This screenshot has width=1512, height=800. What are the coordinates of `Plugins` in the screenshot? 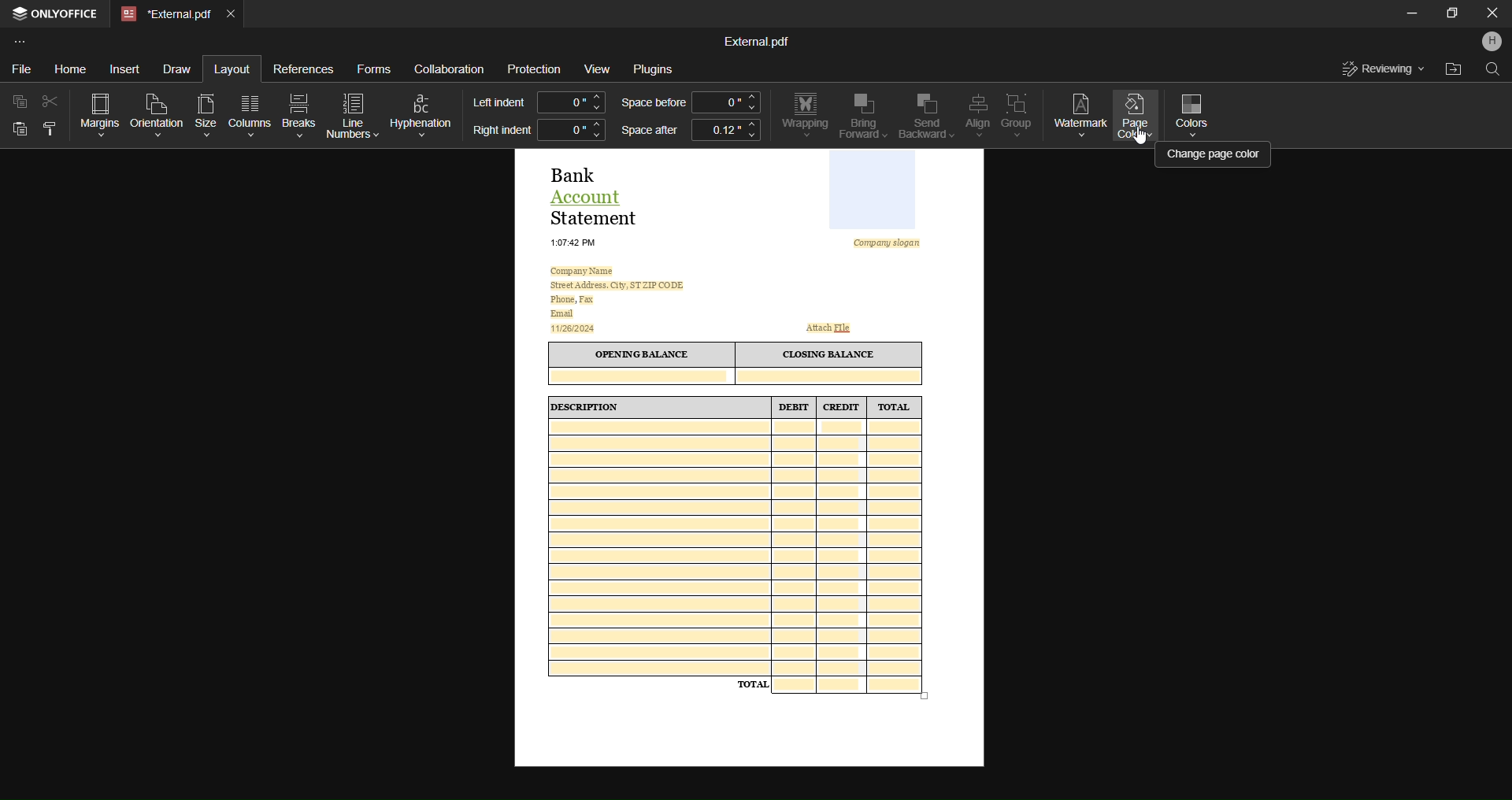 It's located at (659, 70).